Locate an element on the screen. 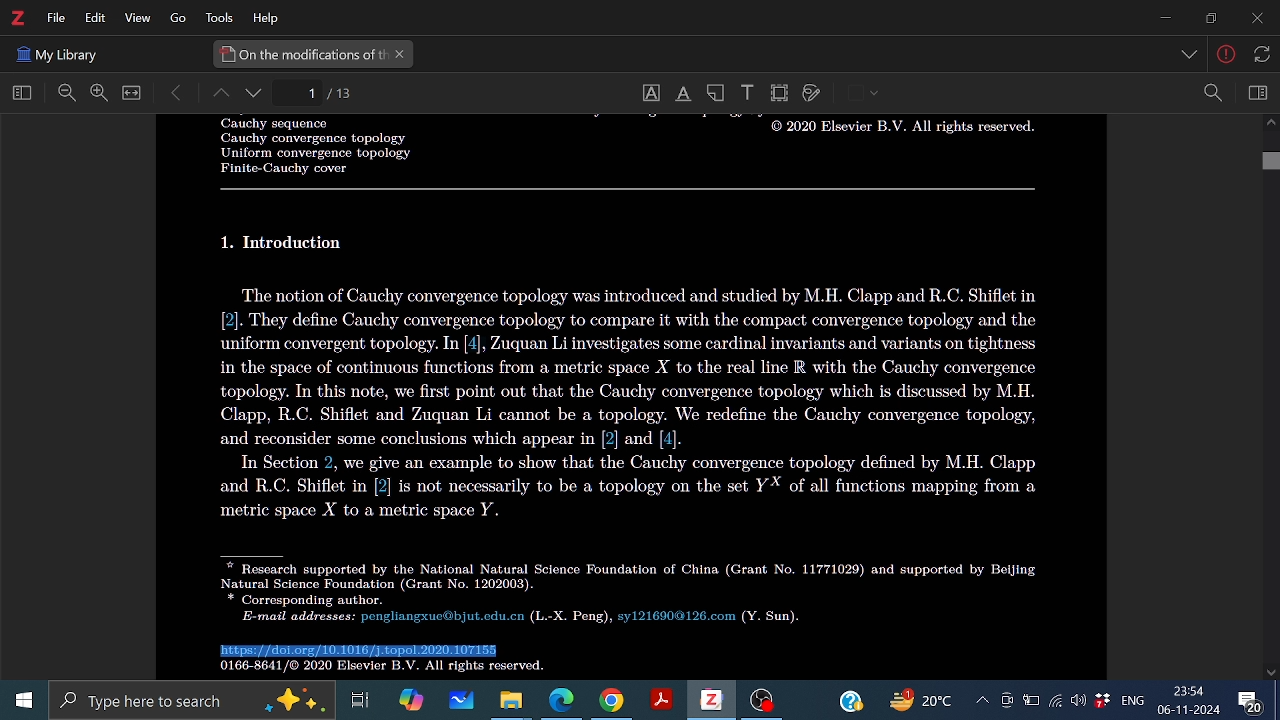 This screenshot has height=720, width=1280. Full view is located at coordinates (132, 93).